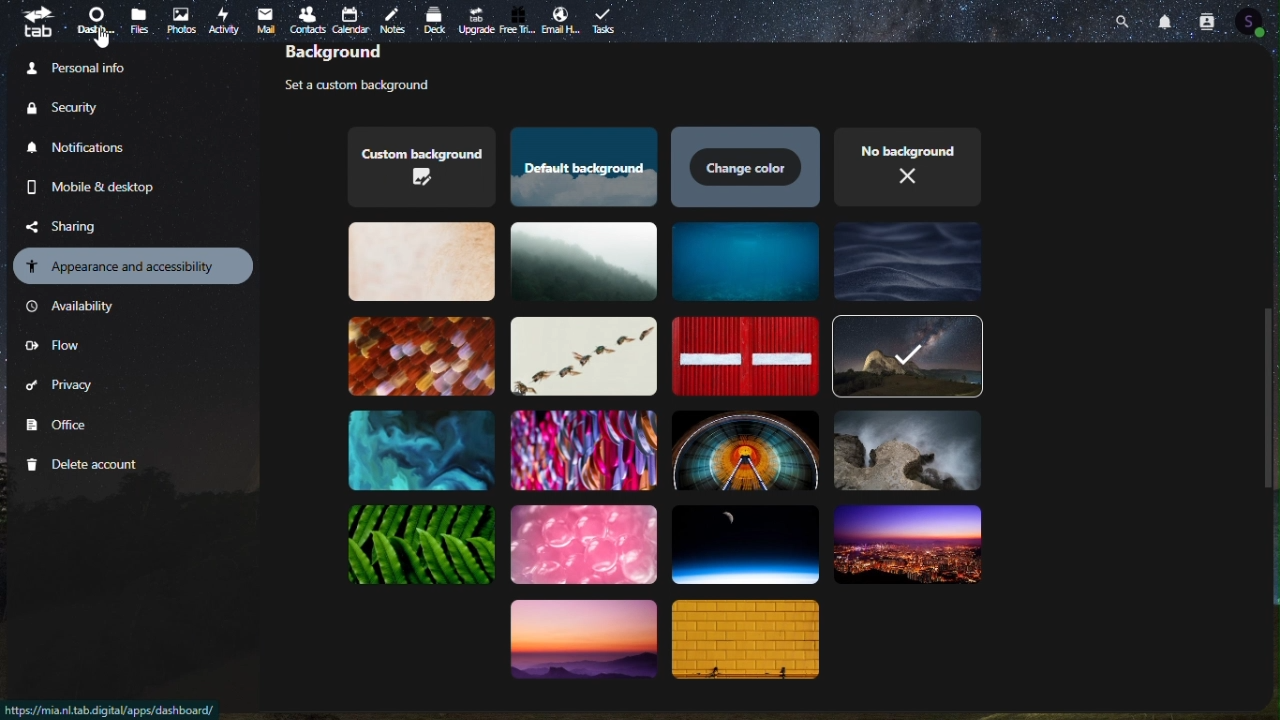  What do you see at coordinates (581, 448) in the screenshot?
I see `Themes` at bounding box center [581, 448].